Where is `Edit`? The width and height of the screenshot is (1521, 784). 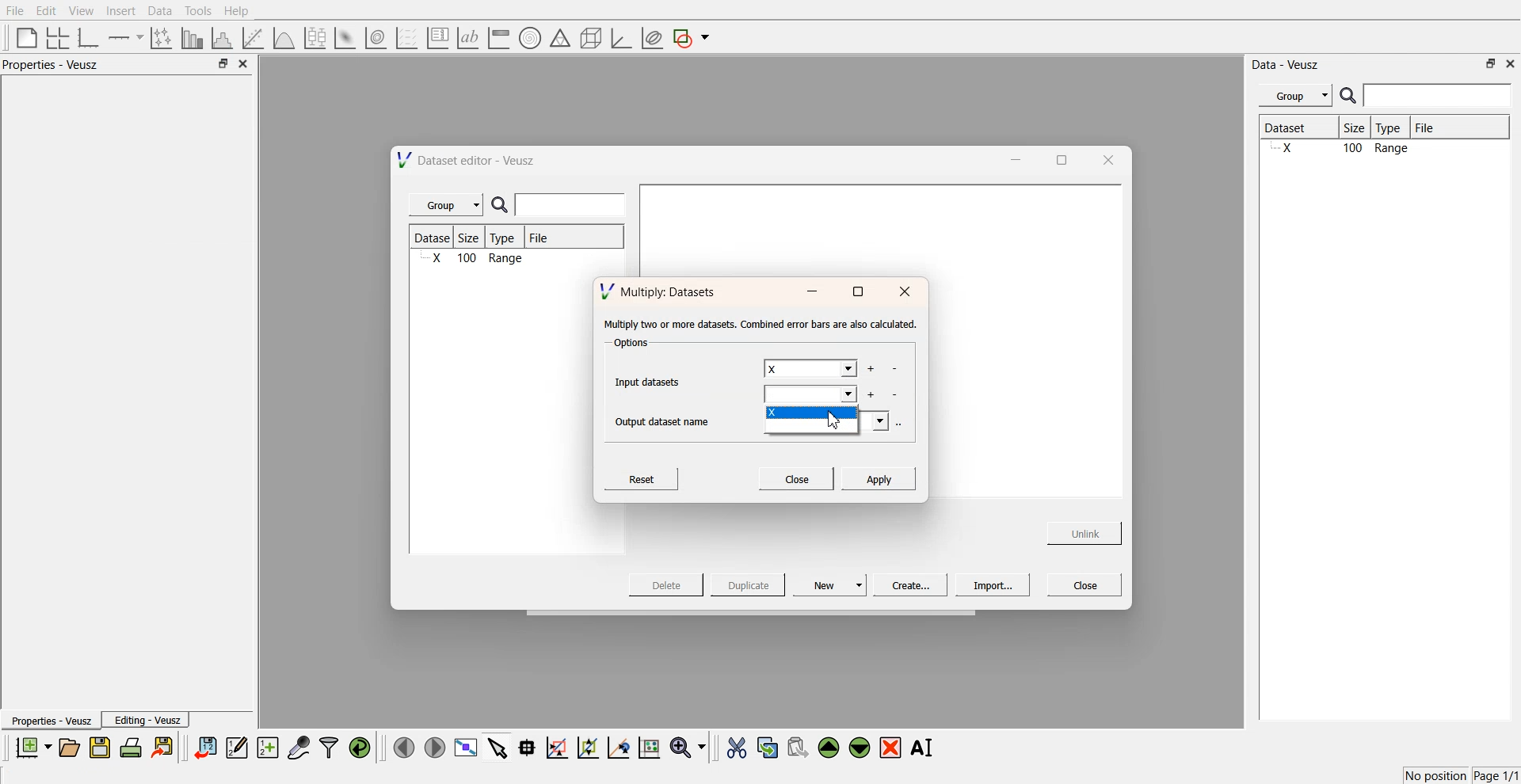
Edit is located at coordinates (47, 10).